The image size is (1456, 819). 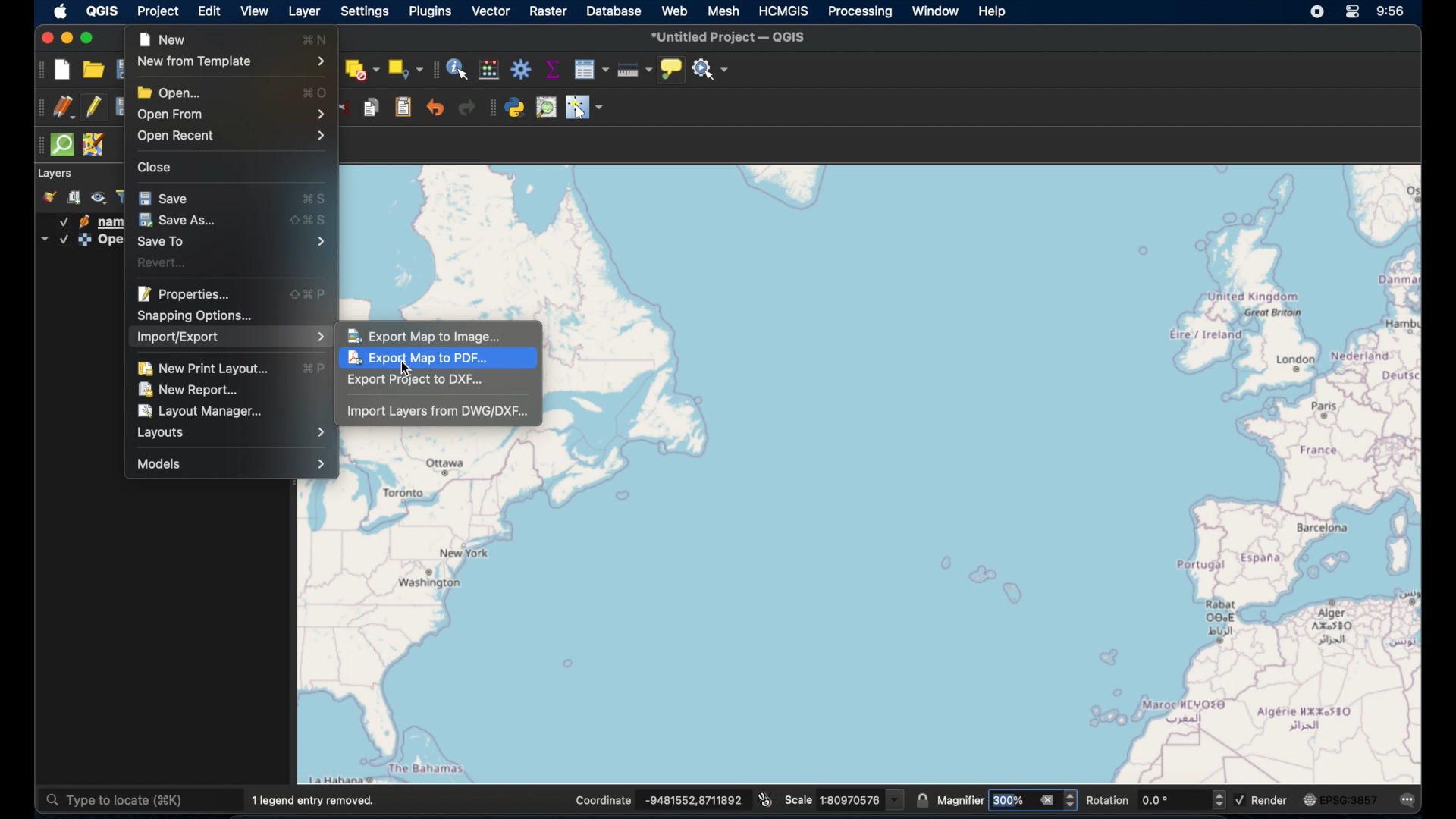 I want to click on save as shortcut, so click(x=307, y=221).